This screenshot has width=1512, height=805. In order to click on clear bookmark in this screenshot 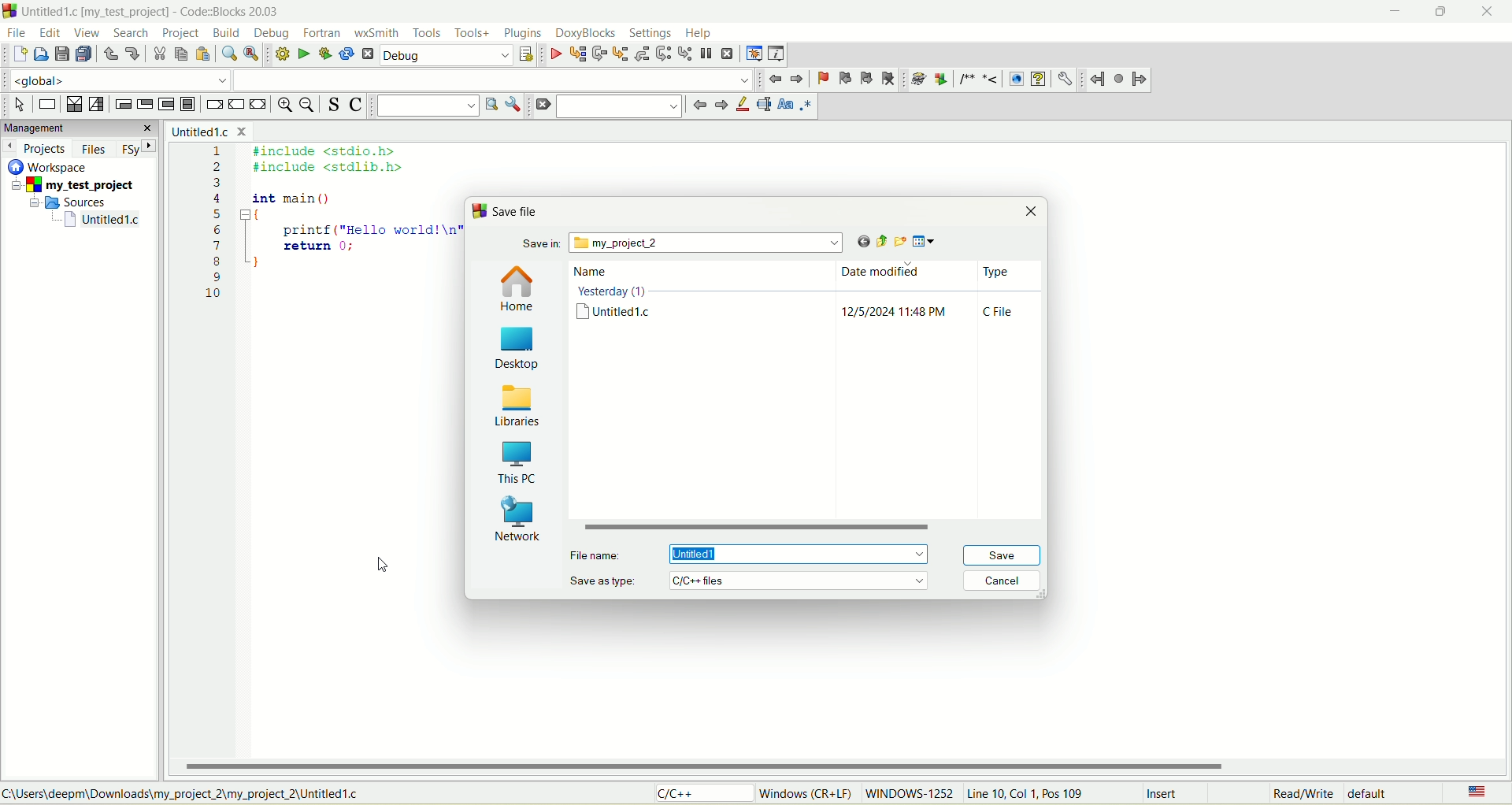, I will do `click(890, 78)`.